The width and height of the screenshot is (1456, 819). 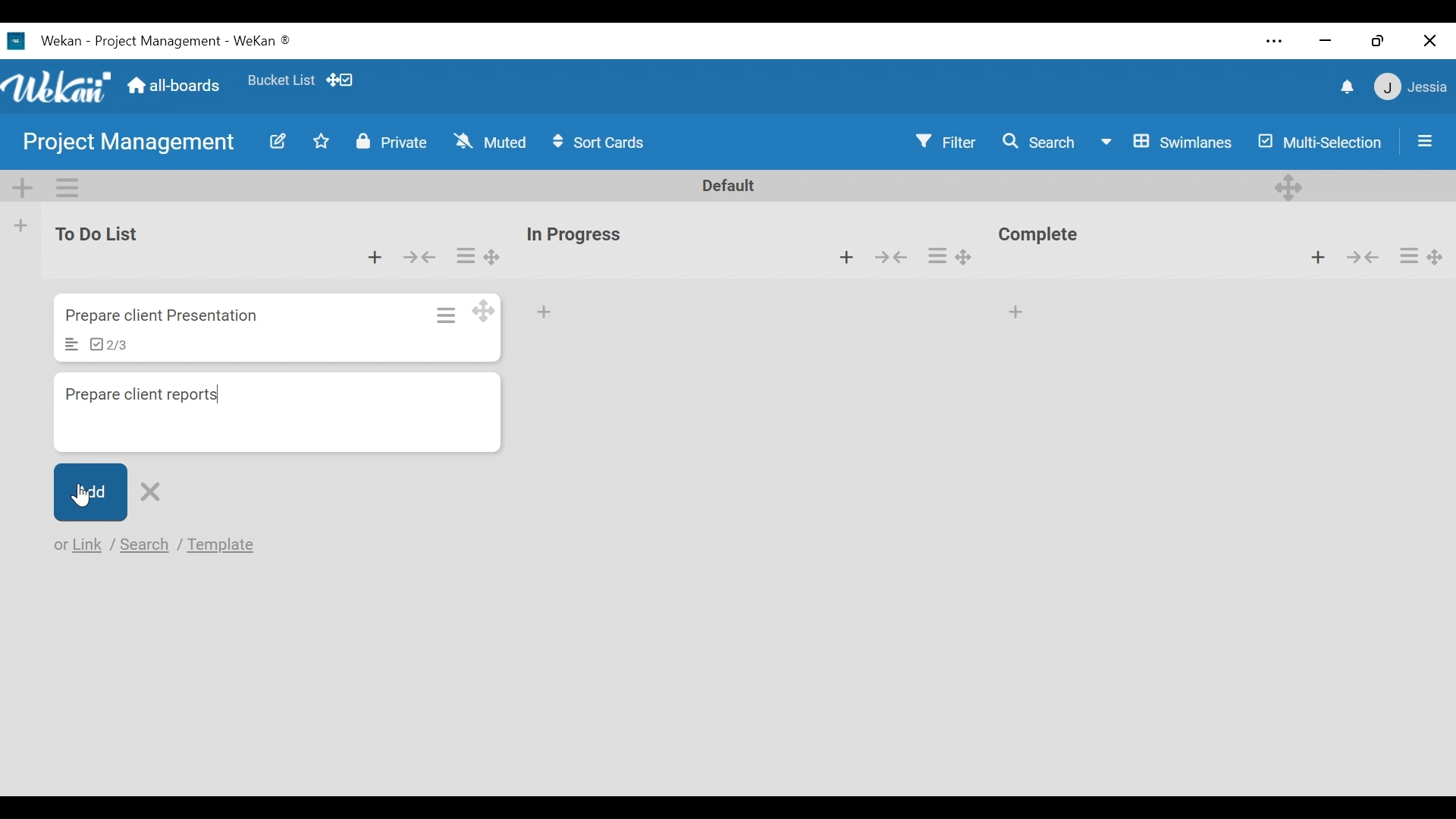 What do you see at coordinates (1420, 140) in the screenshot?
I see `Sidebar` at bounding box center [1420, 140].